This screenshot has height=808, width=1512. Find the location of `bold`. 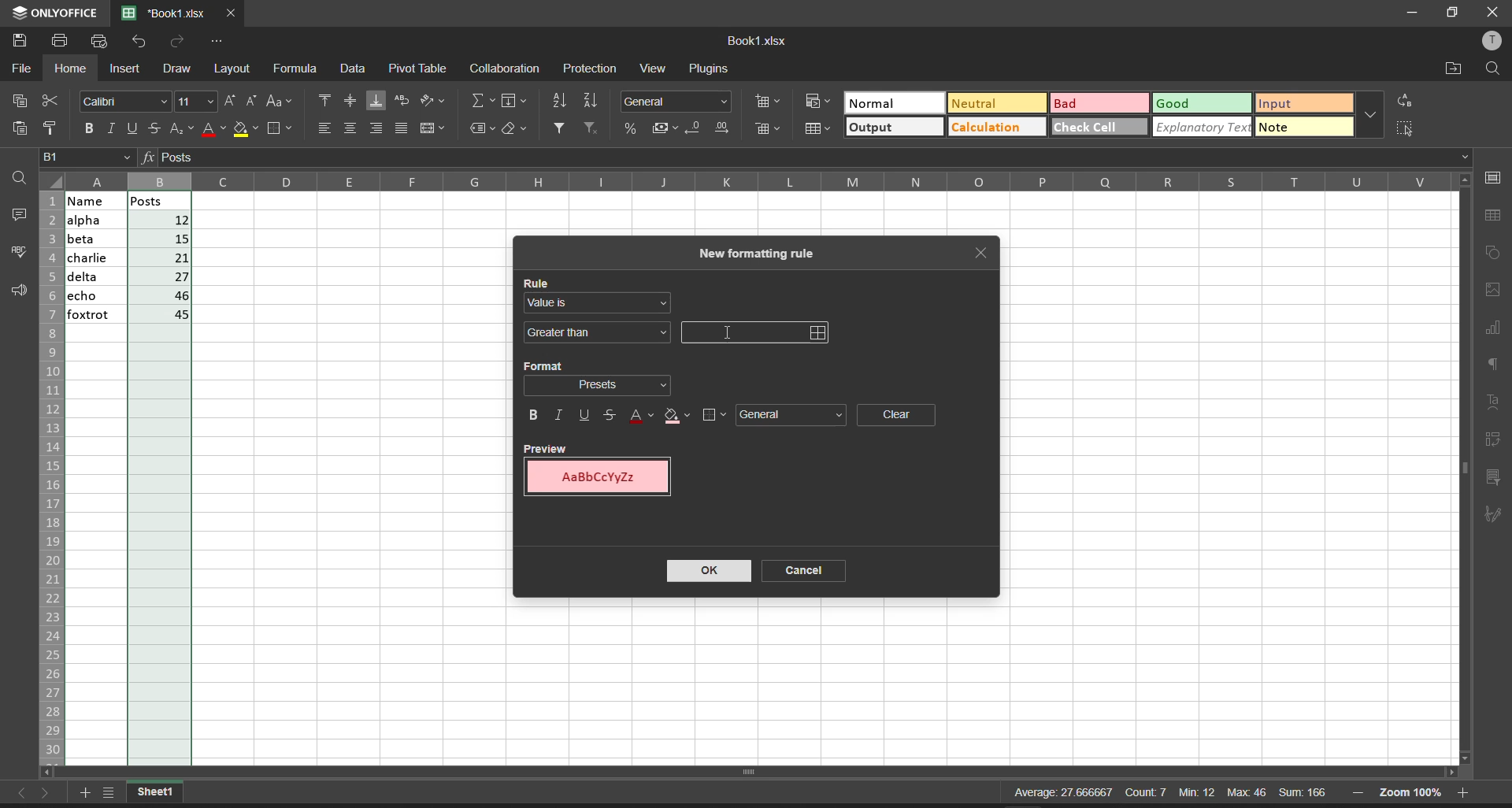

bold is located at coordinates (528, 416).